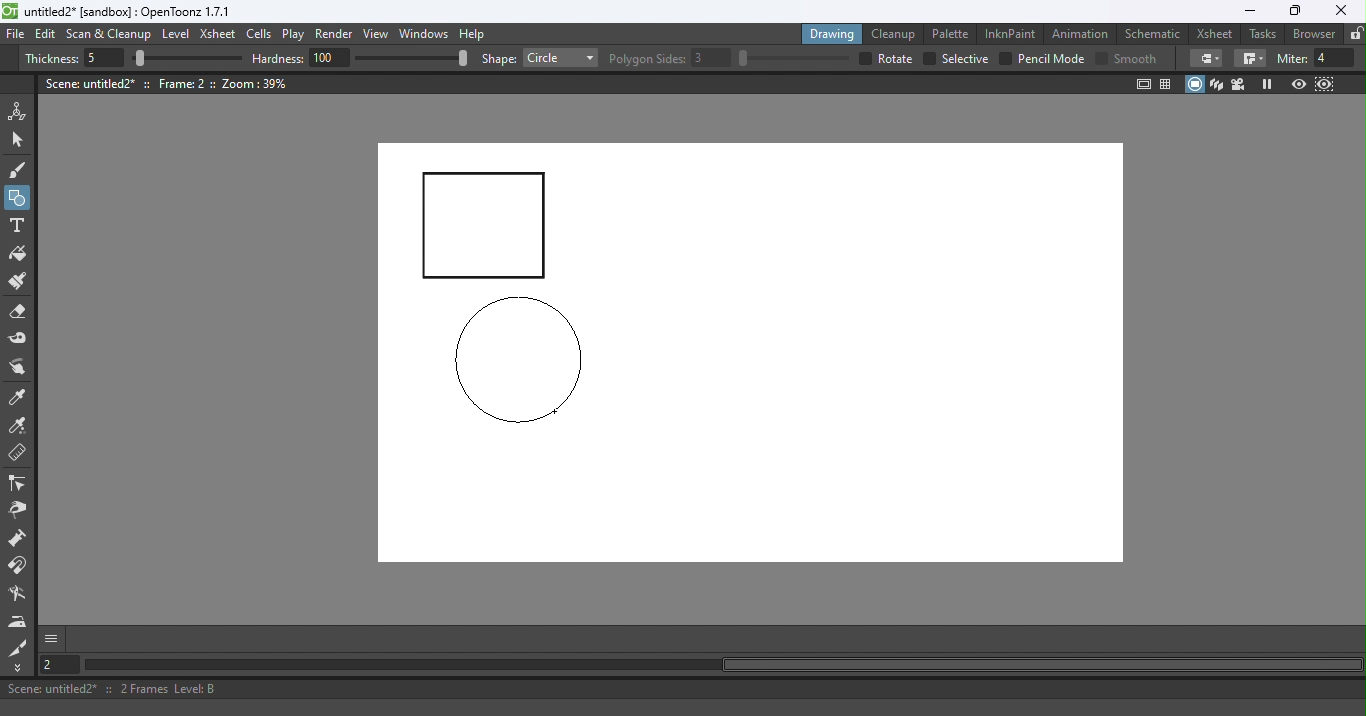 Image resolution: width=1366 pixels, height=716 pixels. Describe the element at coordinates (1356, 35) in the screenshot. I see `Lock rooms tab` at that location.